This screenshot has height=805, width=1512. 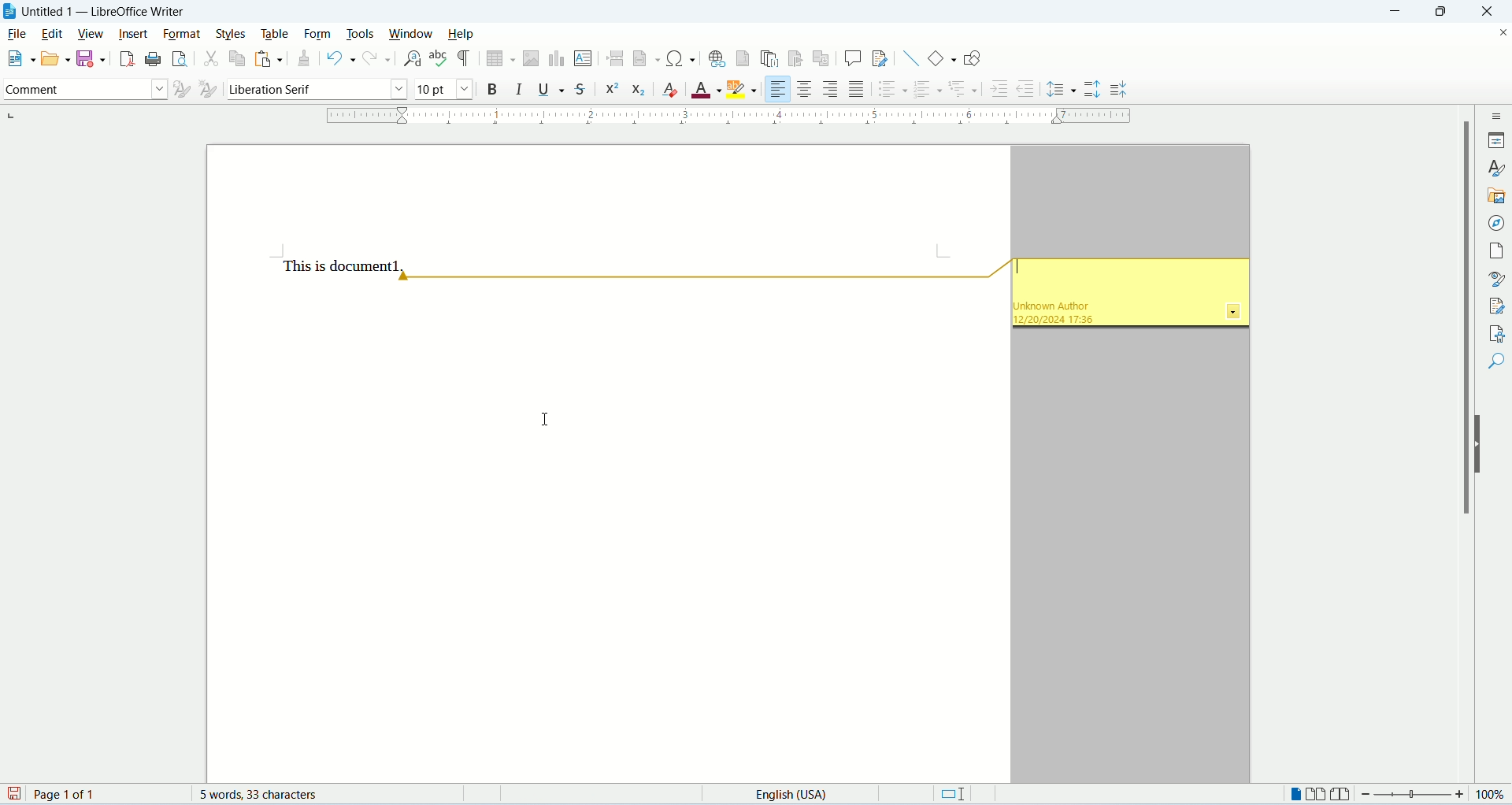 I want to click on cut, so click(x=210, y=61).